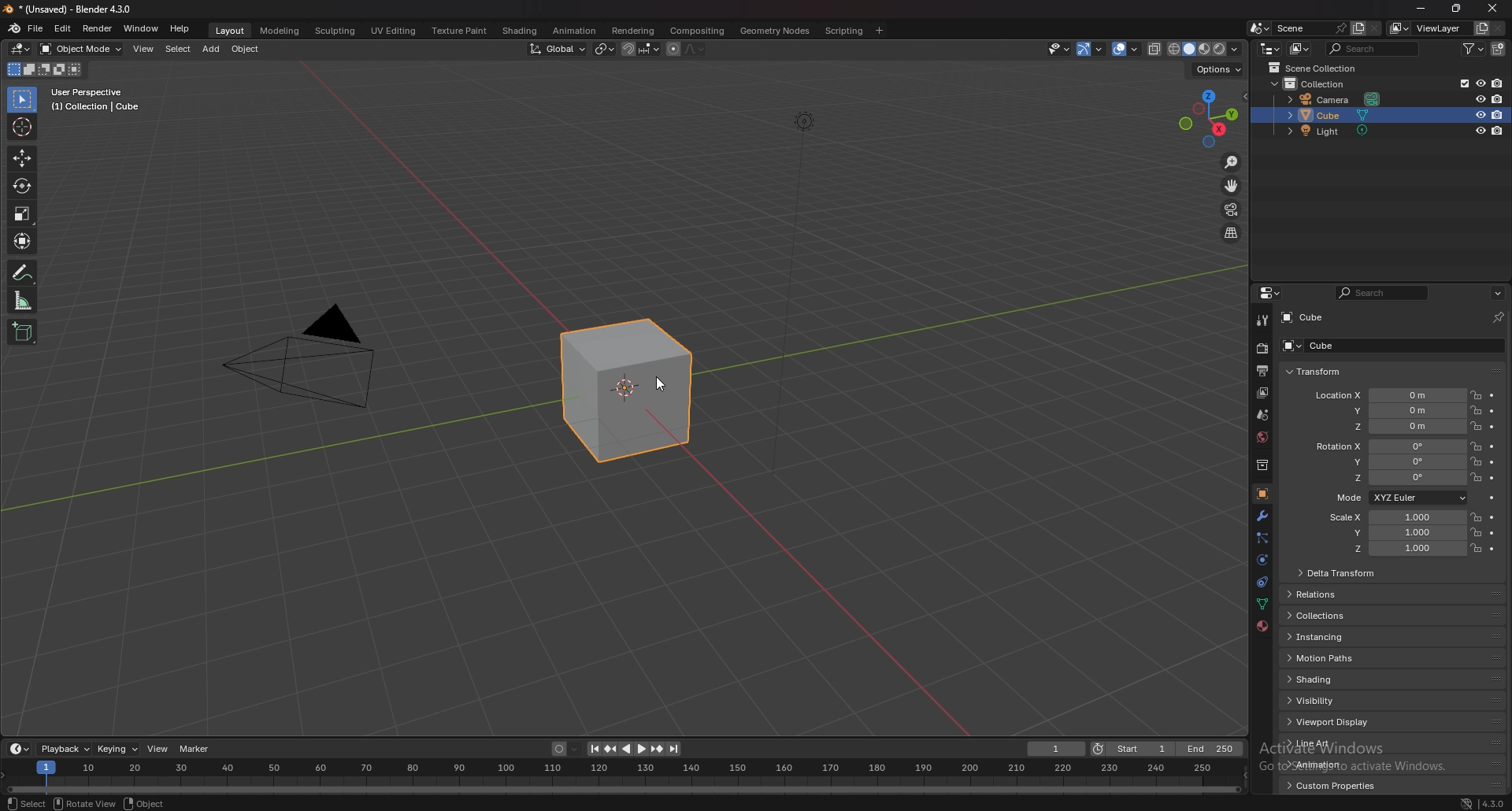  I want to click on layout, so click(232, 31).